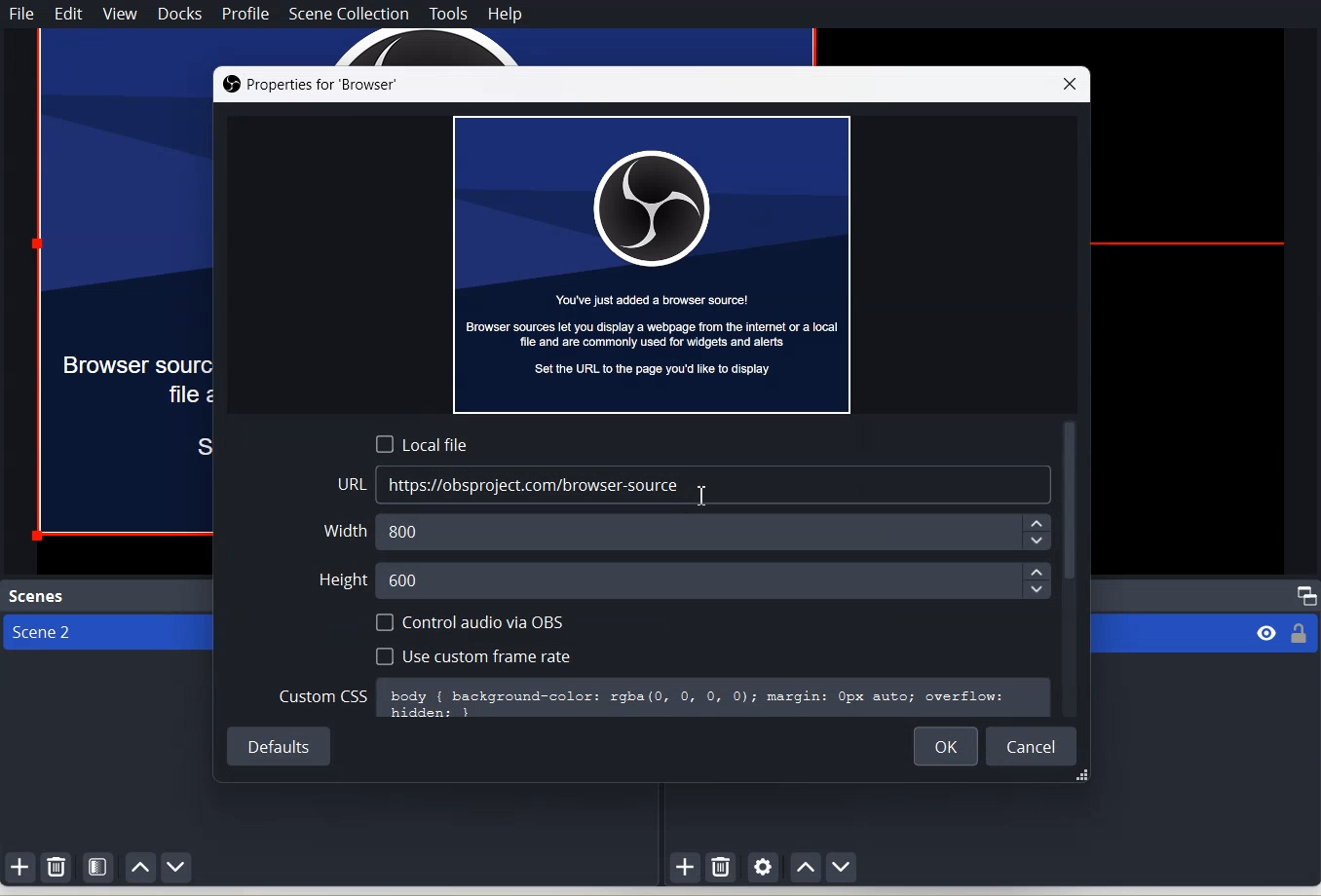 Image resolution: width=1321 pixels, height=896 pixels. What do you see at coordinates (506, 14) in the screenshot?
I see `Help` at bounding box center [506, 14].